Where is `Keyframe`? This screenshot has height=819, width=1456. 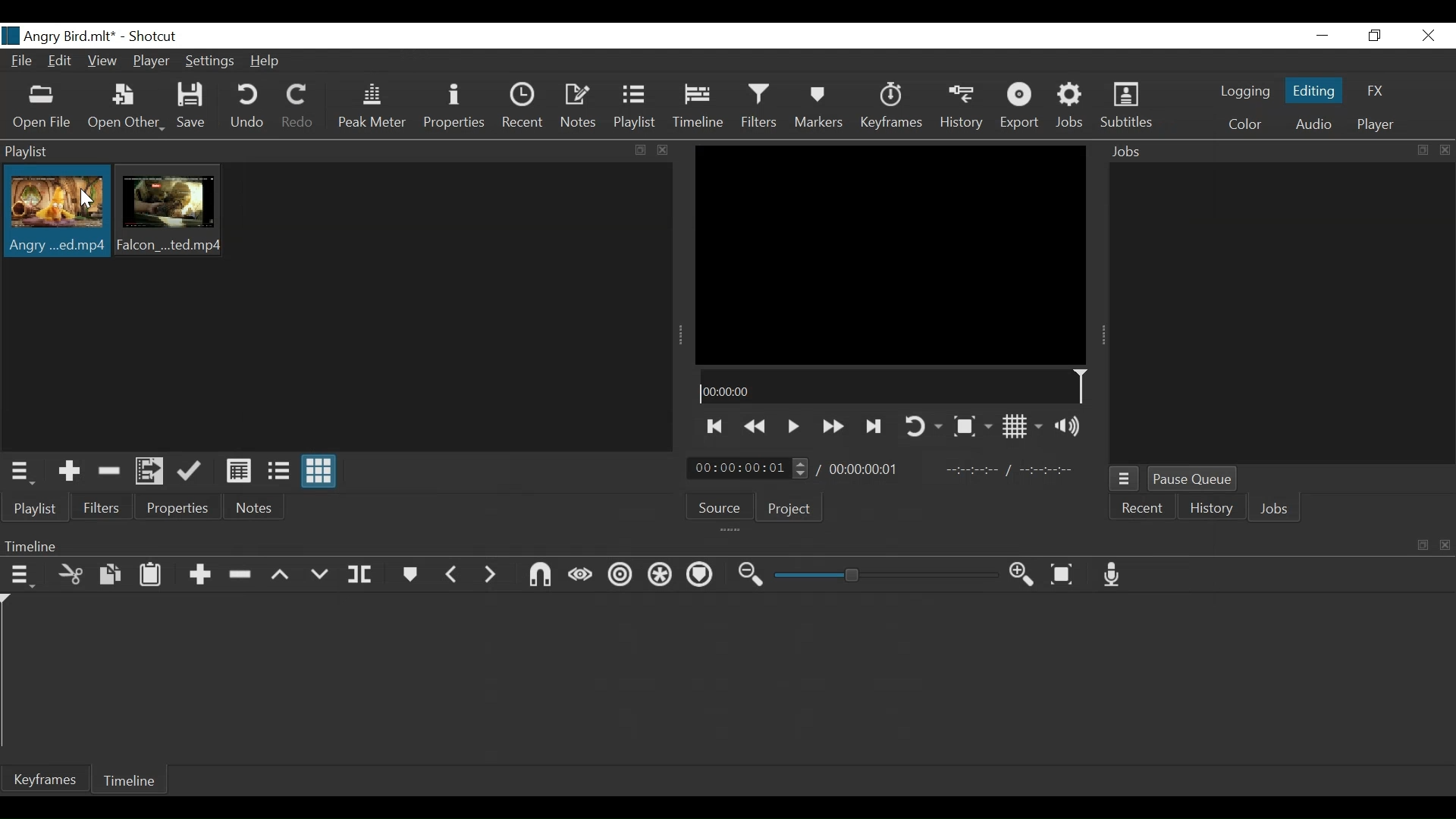 Keyframe is located at coordinates (893, 107).